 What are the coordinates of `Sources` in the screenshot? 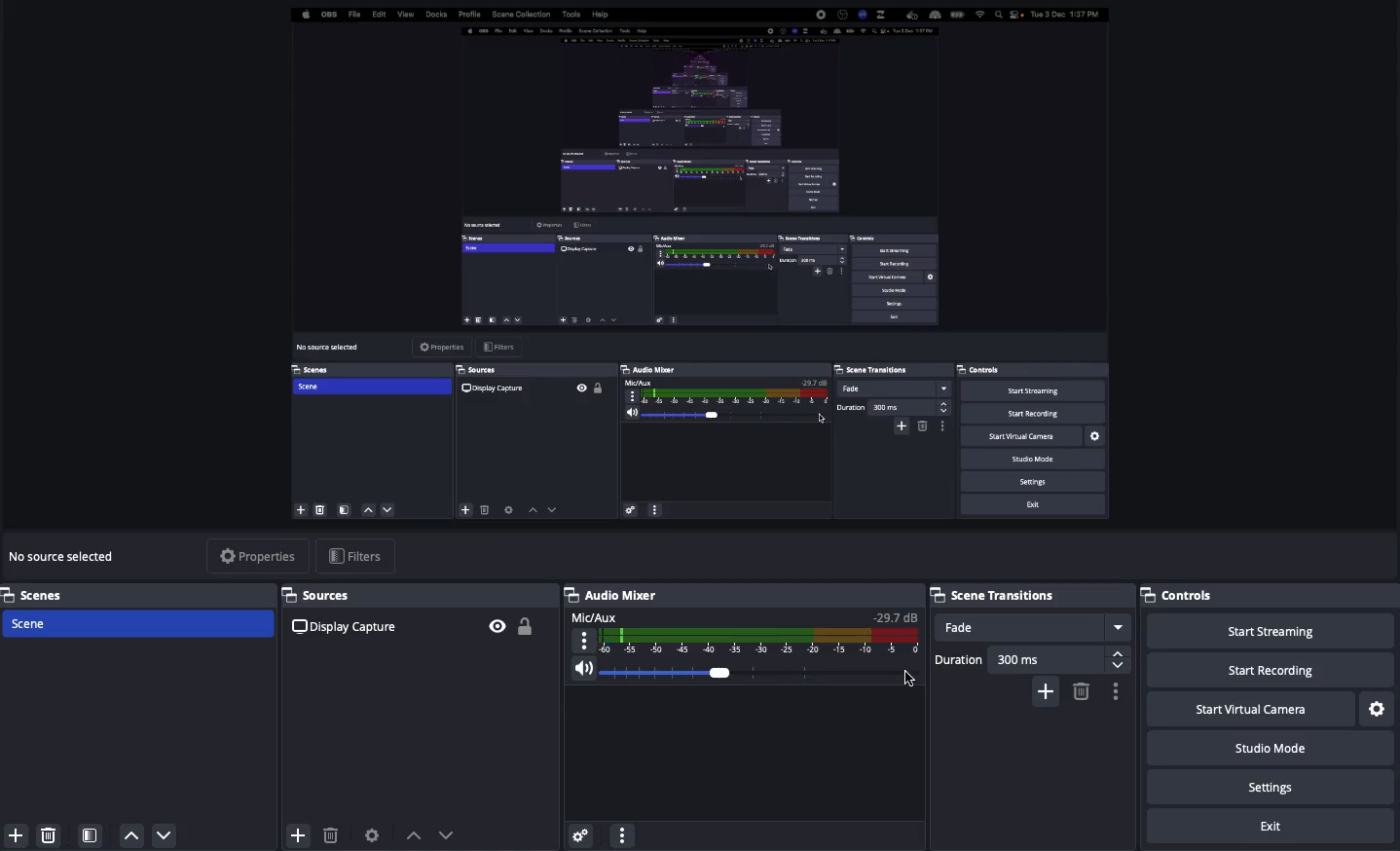 It's located at (317, 595).